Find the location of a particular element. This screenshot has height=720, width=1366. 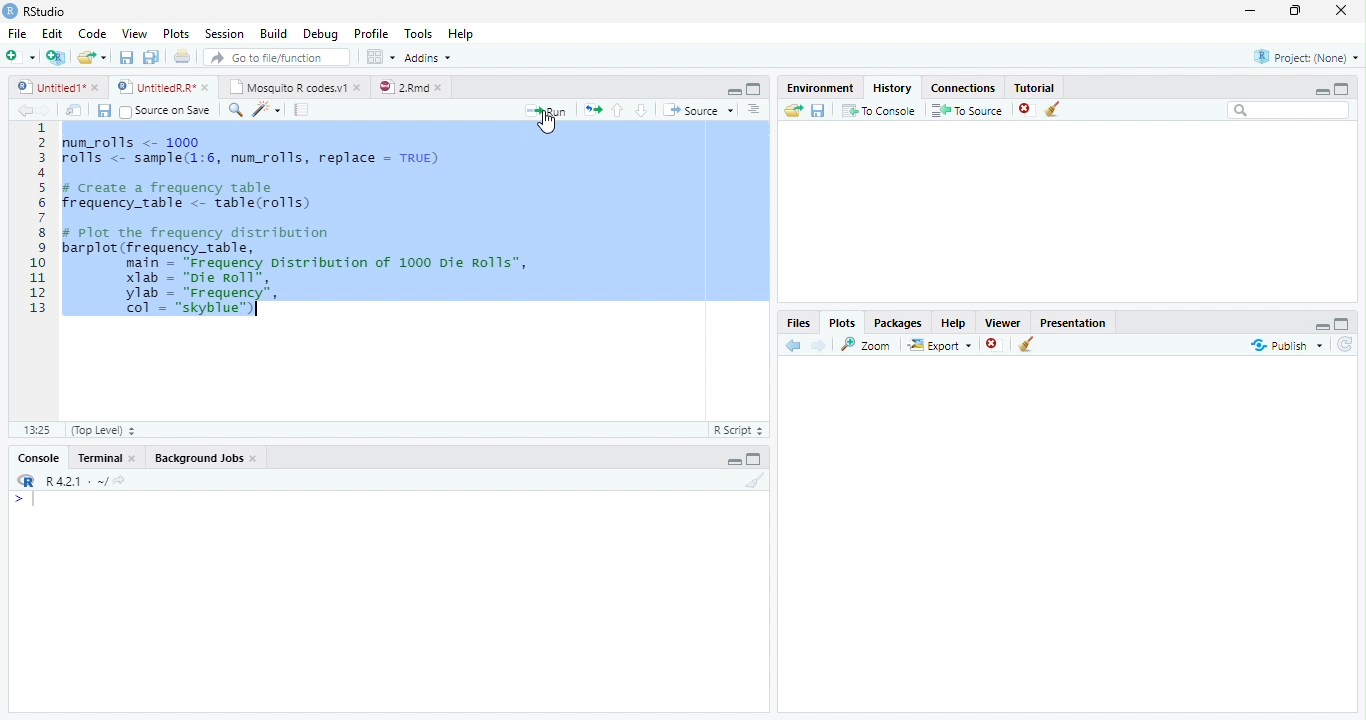

Save current file is located at coordinates (126, 57).